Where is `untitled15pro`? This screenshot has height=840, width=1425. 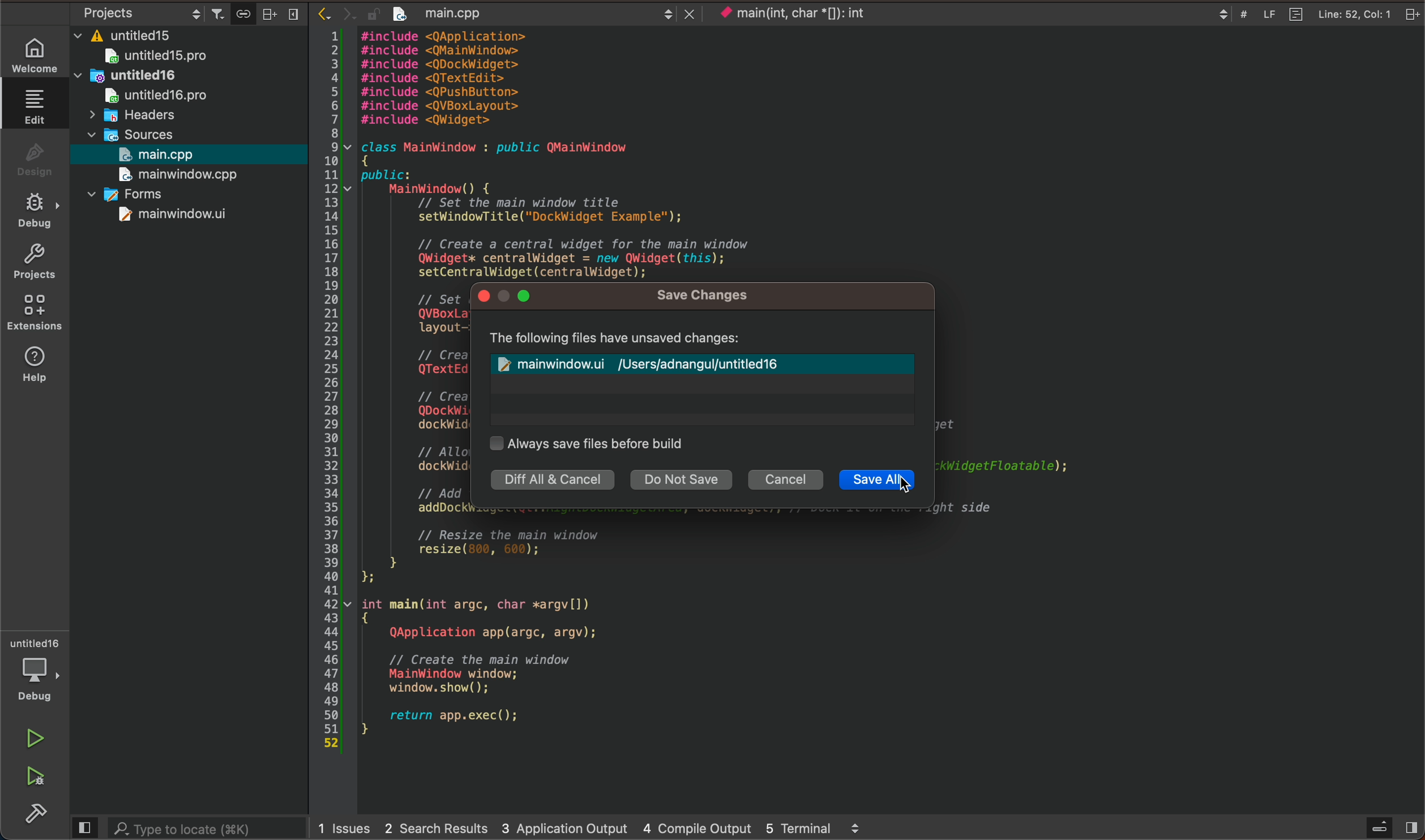 untitled15pro is located at coordinates (158, 57).